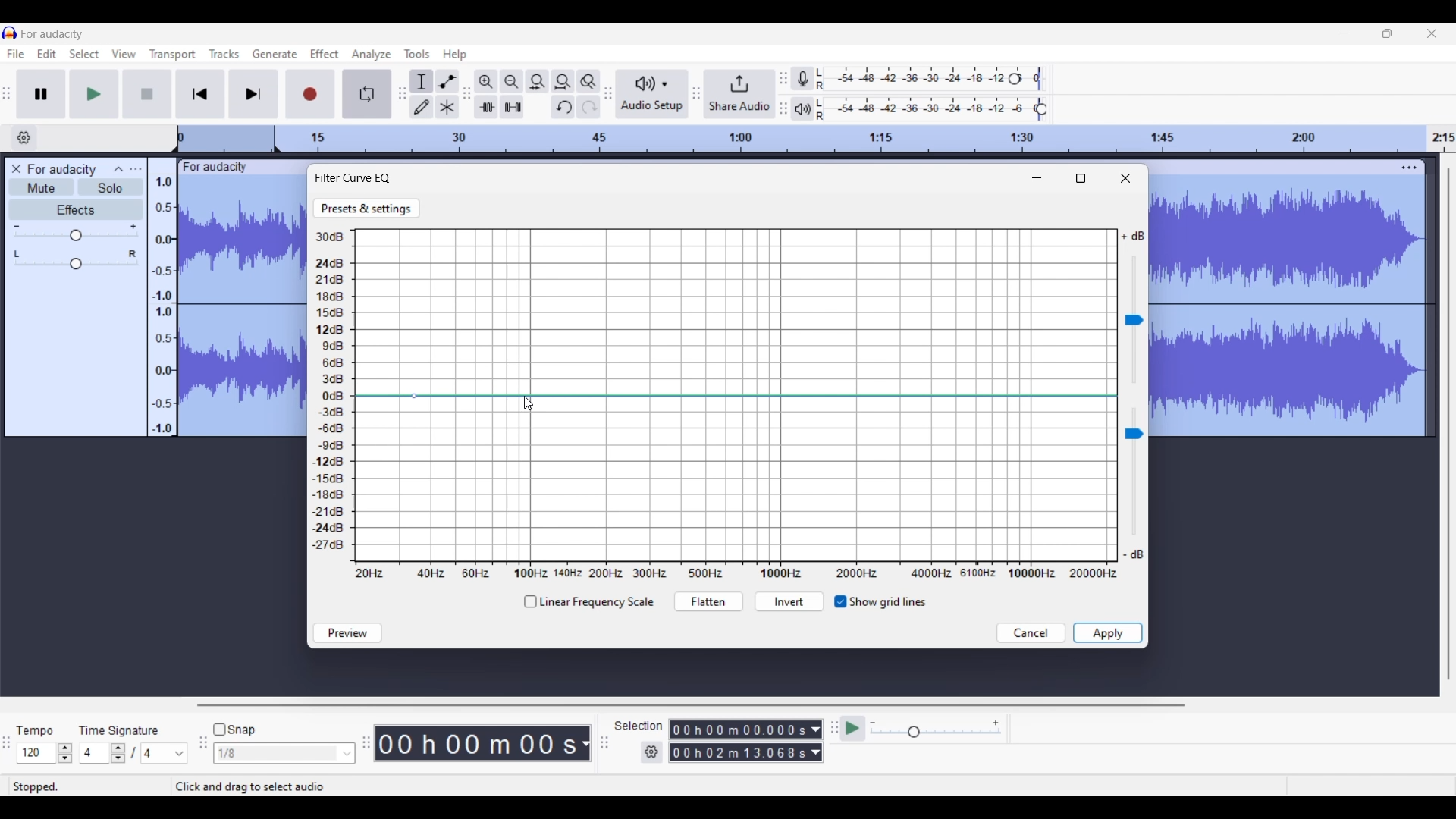  What do you see at coordinates (585, 744) in the screenshot?
I see `Audio record duration` at bounding box center [585, 744].